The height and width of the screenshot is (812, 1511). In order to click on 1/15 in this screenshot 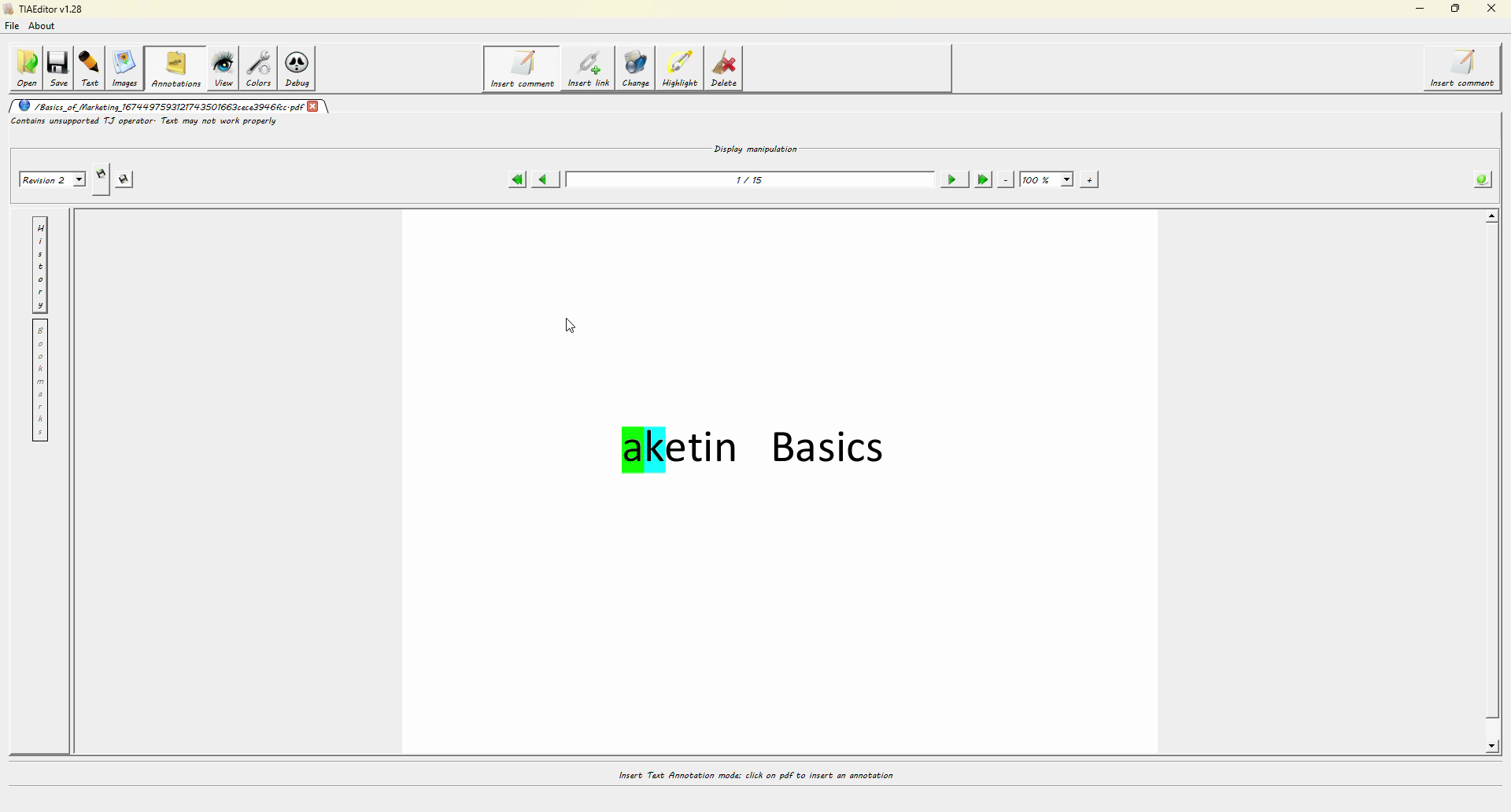, I will do `click(752, 179)`.